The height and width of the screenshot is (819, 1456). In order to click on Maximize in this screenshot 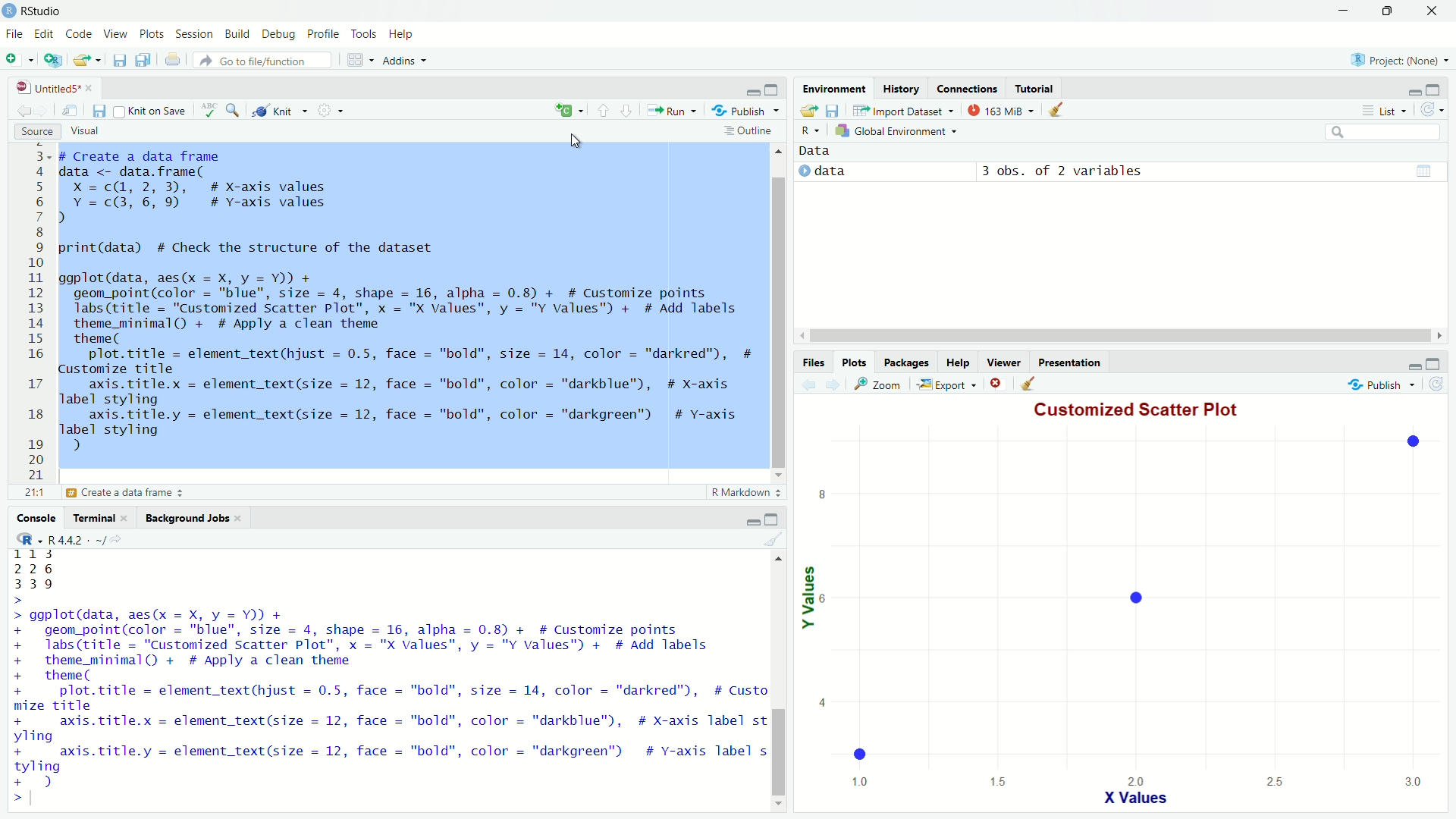, I will do `click(772, 89)`.